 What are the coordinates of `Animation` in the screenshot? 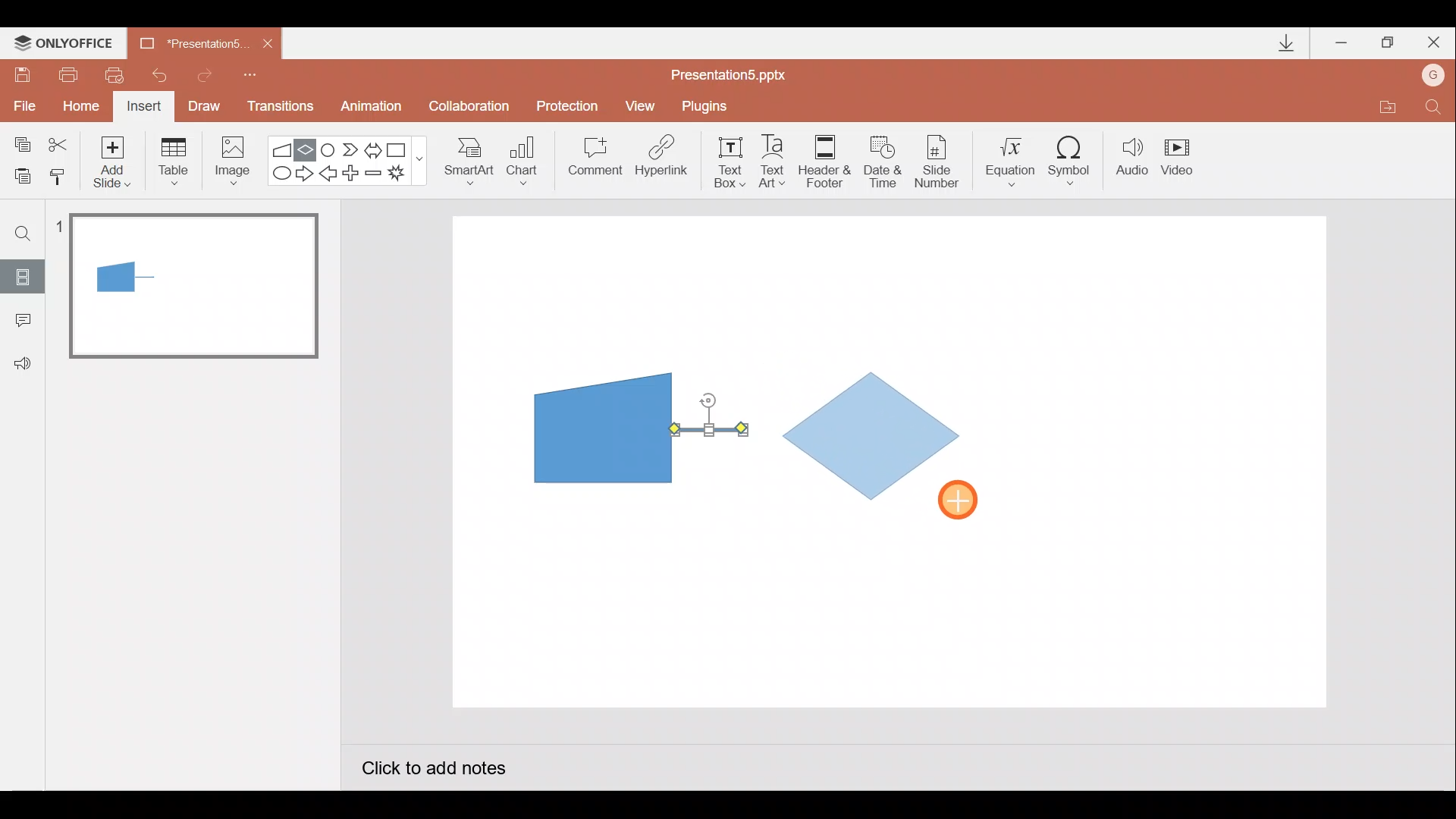 It's located at (373, 108).